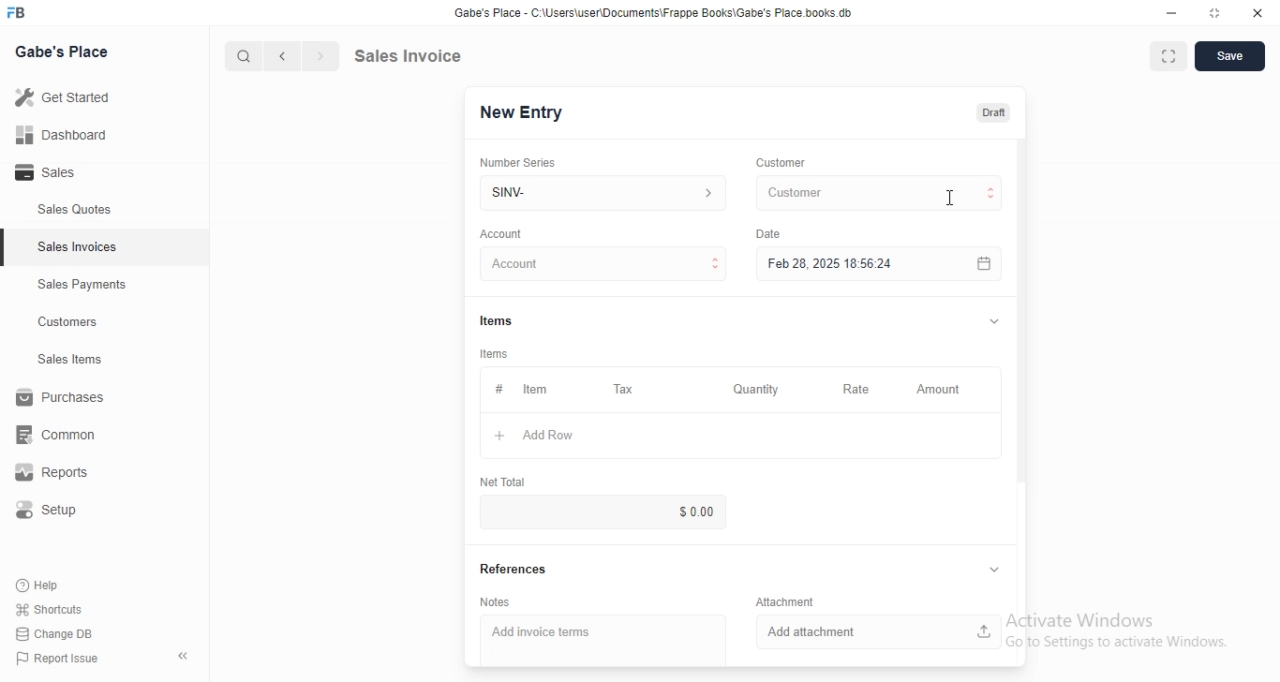 This screenshot has height=682, width=1280. Describe the element at coordinates (603, 633) in the screenshot. I see `Add invoice terms` at that location.